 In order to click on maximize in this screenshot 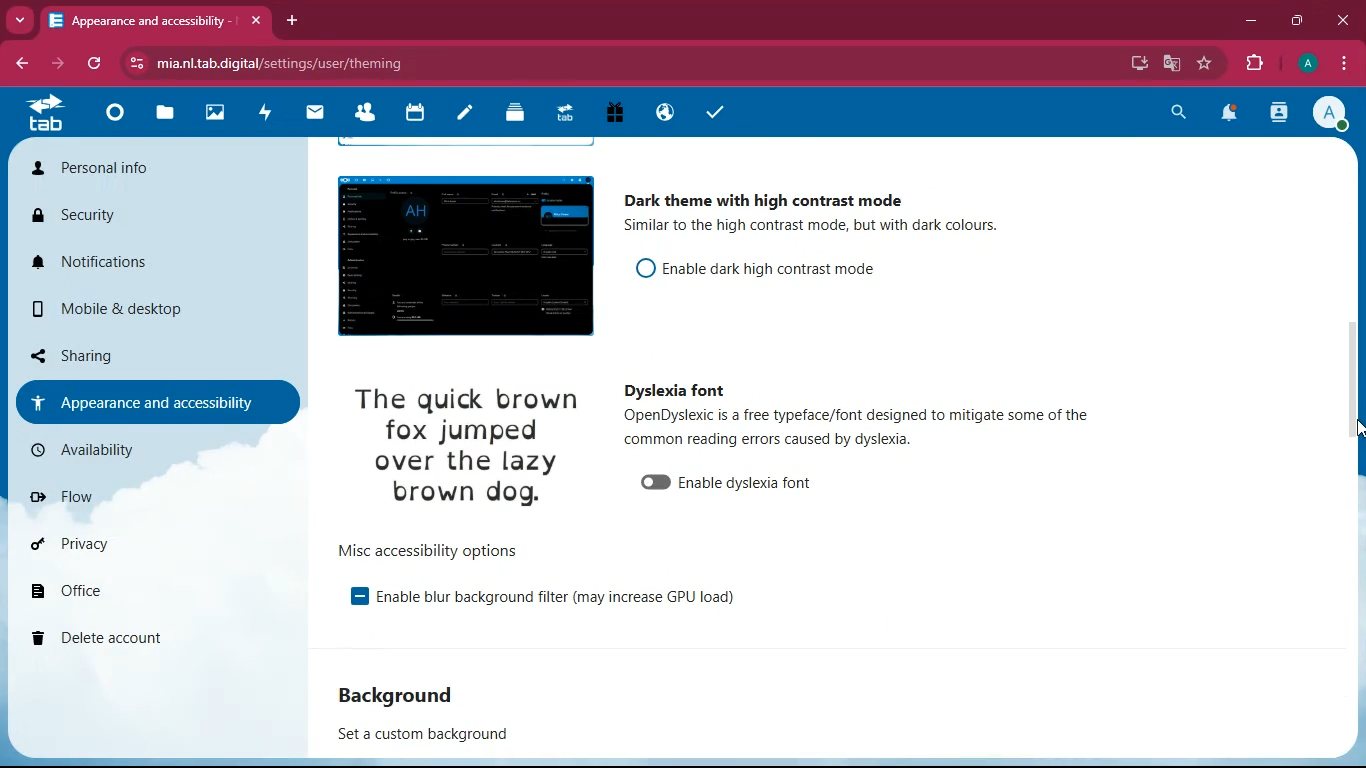, I will do `click(1299, 17)`.